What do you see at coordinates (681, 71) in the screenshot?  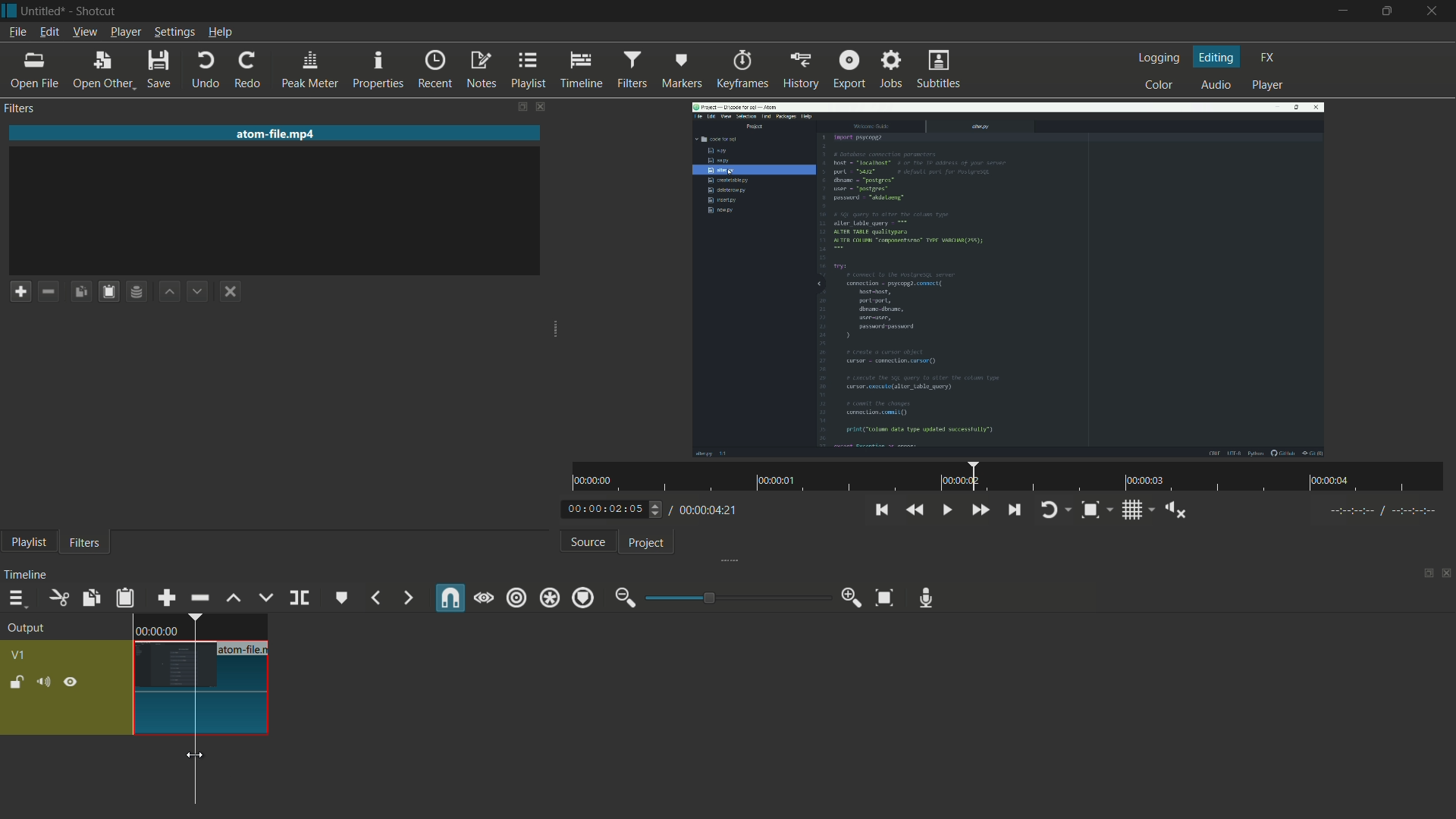 I see `markers` at bounding box center [681, 71].